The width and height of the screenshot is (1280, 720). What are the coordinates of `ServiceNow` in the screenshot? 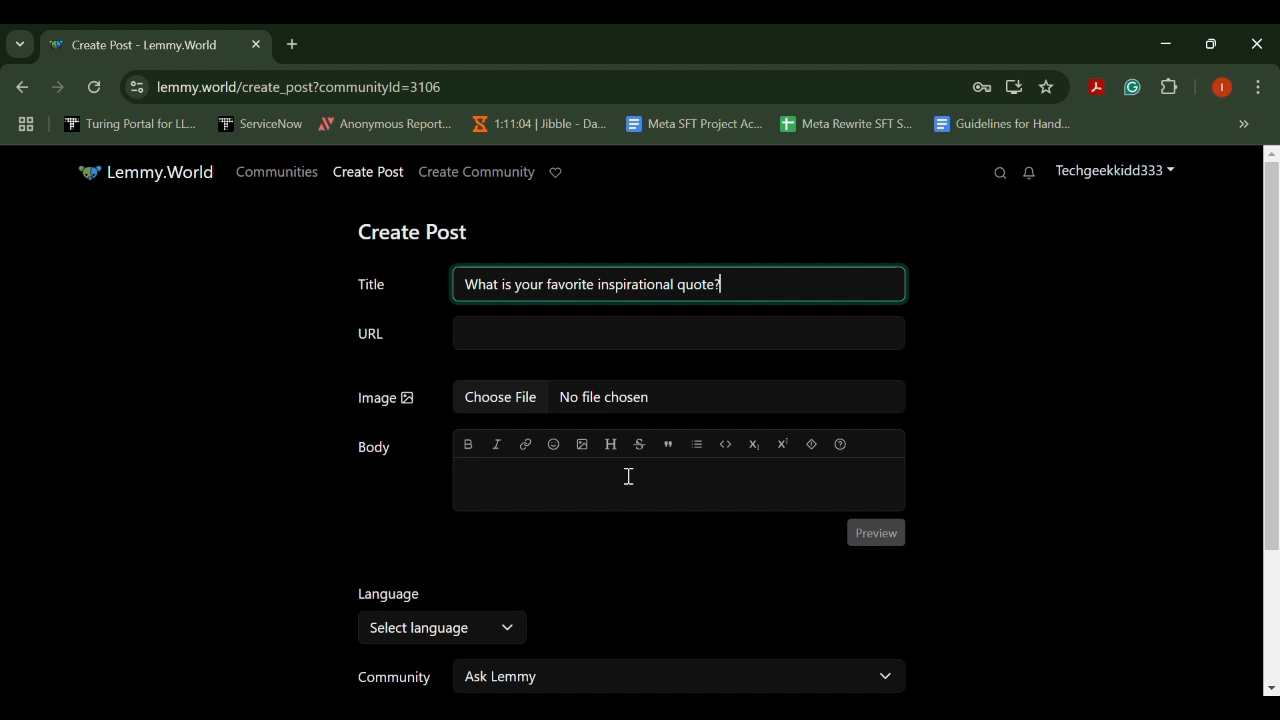 It's located at (261, 123).